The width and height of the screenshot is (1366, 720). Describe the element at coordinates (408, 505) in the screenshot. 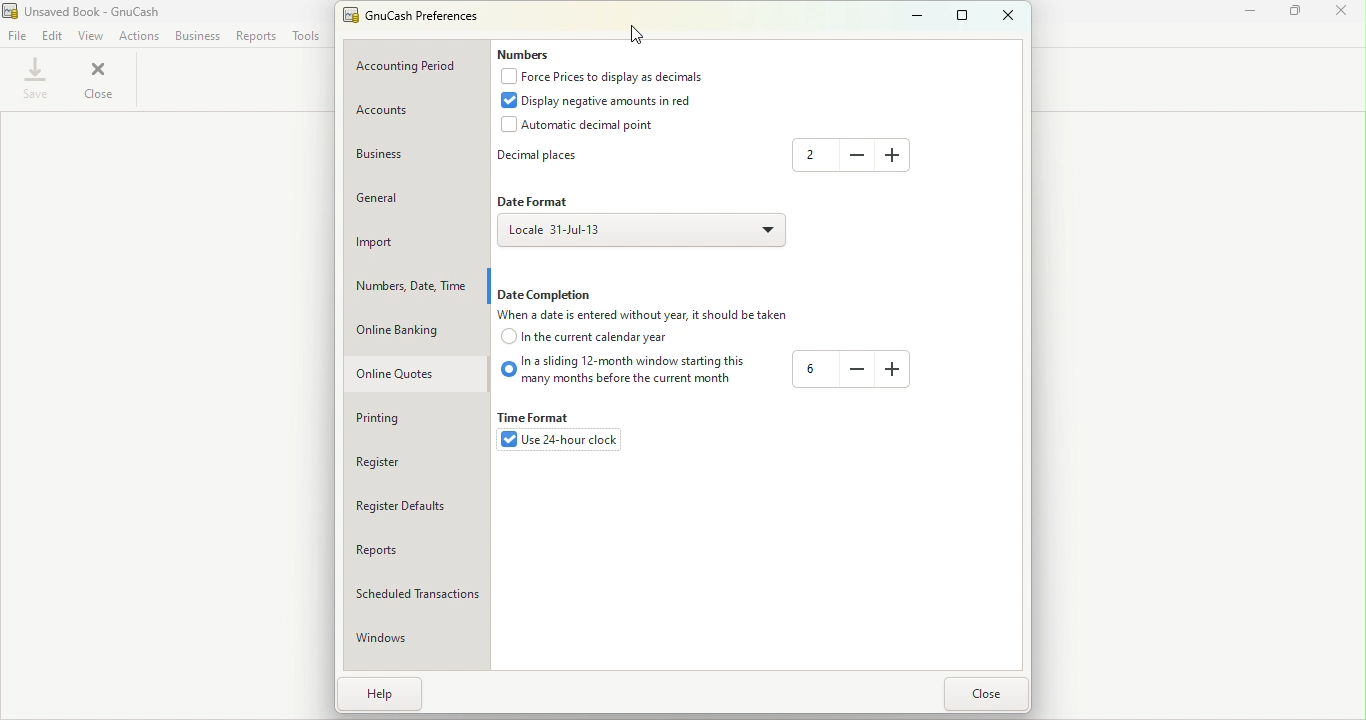

I see `Register defaults` at that location.